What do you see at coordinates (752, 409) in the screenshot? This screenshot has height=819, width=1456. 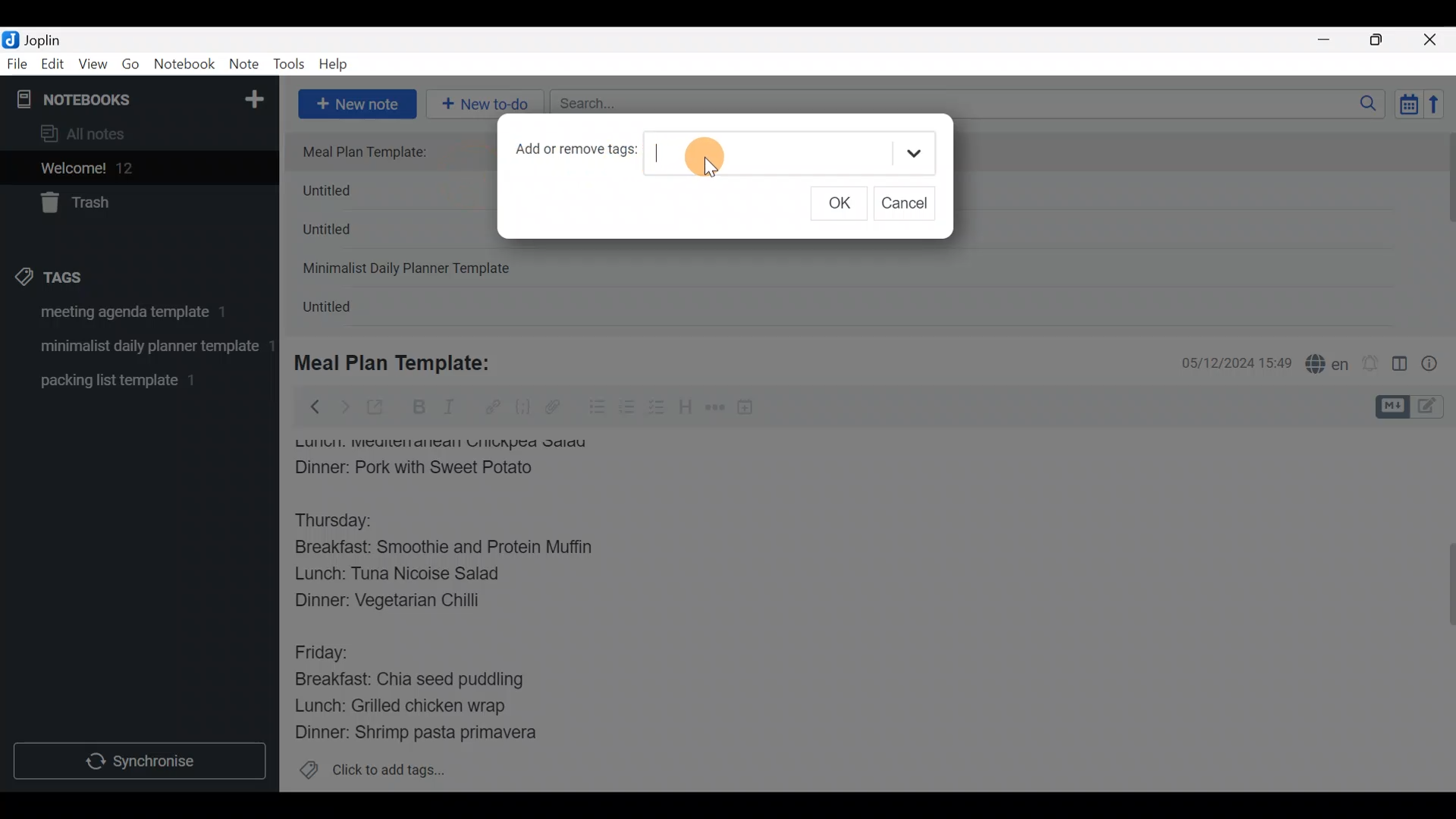 I see `Insert time` at bounding box center [752, 409].